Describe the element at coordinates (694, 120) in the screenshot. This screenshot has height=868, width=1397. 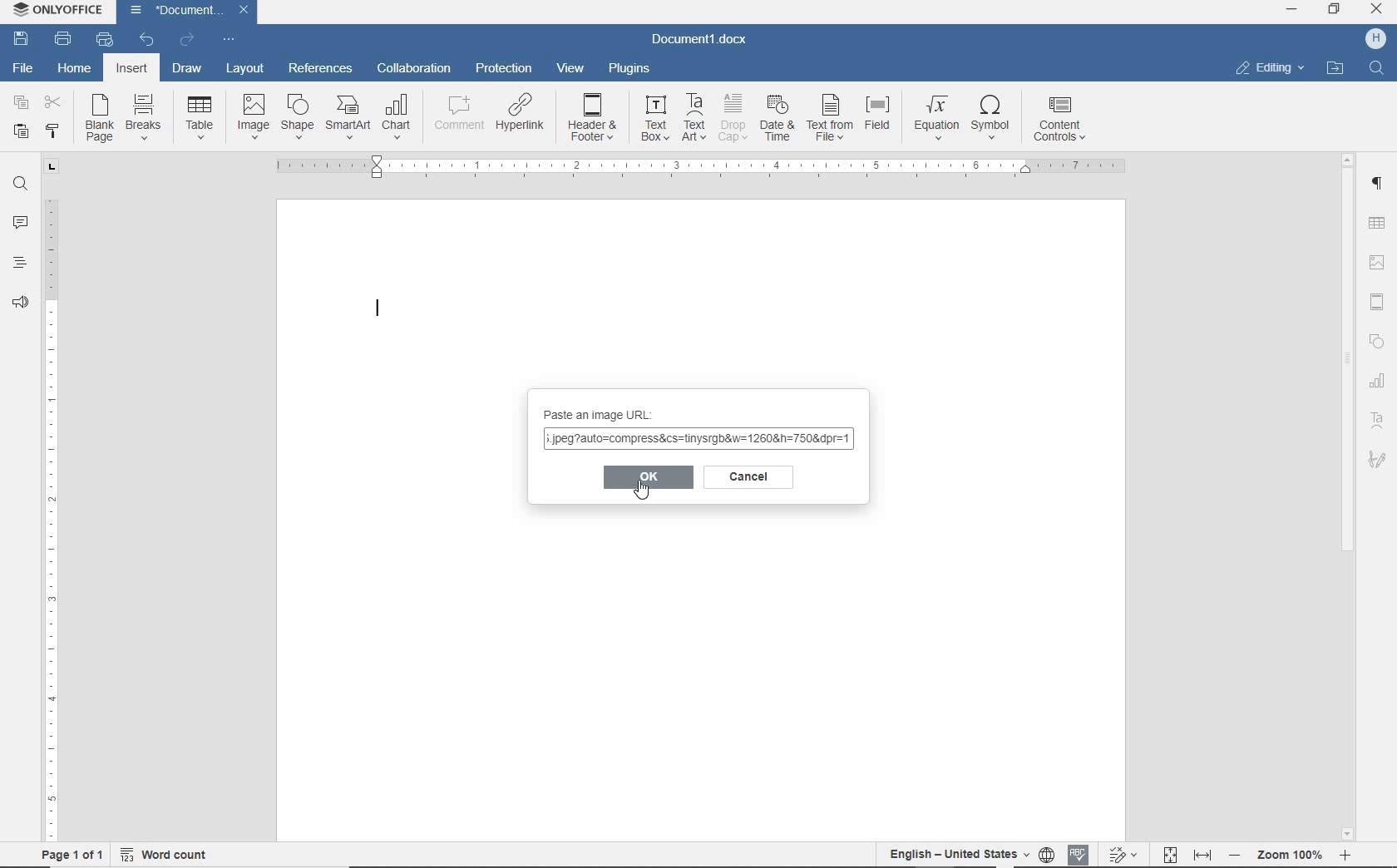
I see `TextArt` at that location.